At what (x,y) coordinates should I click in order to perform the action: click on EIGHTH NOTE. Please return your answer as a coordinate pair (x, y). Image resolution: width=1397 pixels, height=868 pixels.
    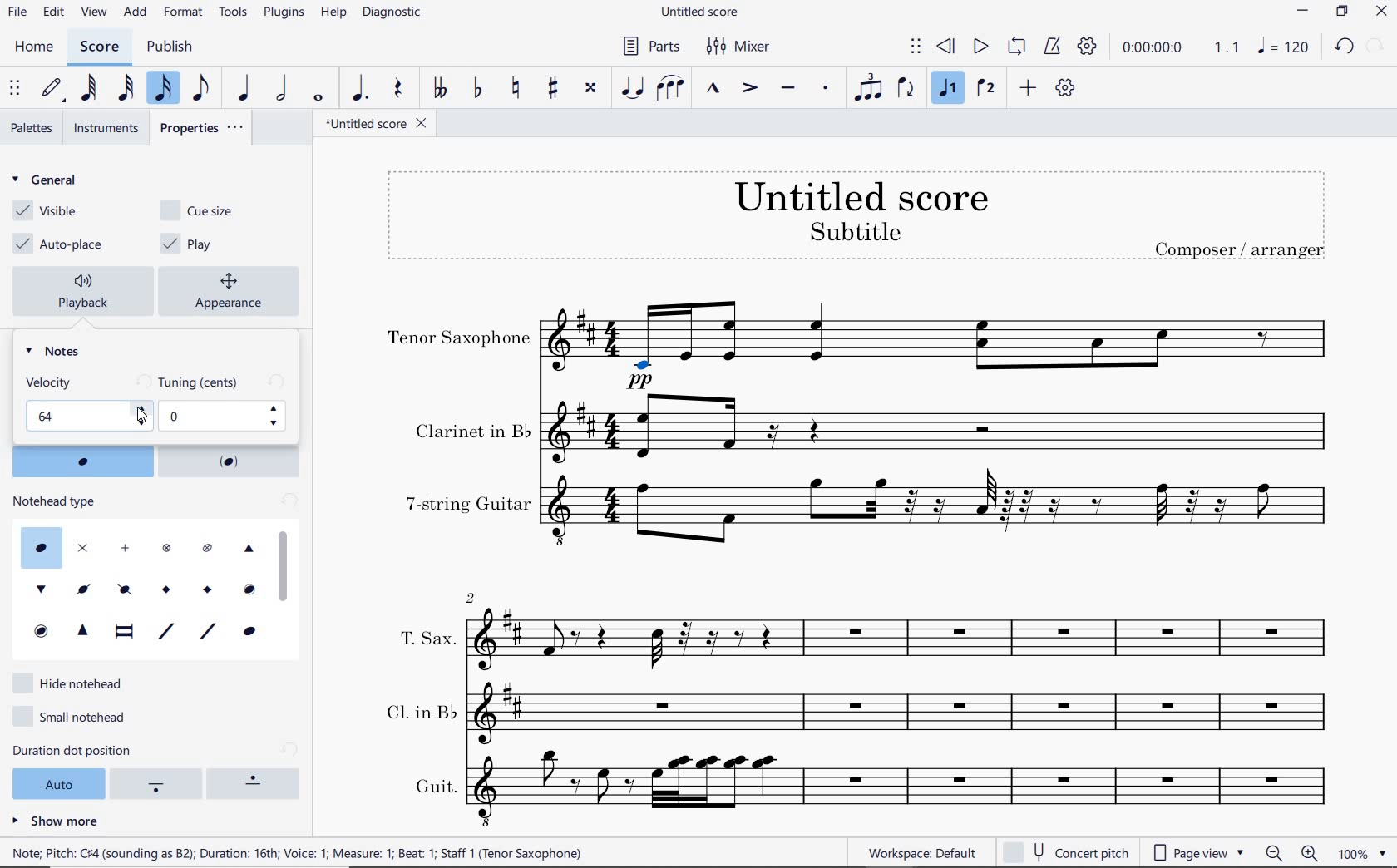
    Looking at the image, I should click on (204, 91).